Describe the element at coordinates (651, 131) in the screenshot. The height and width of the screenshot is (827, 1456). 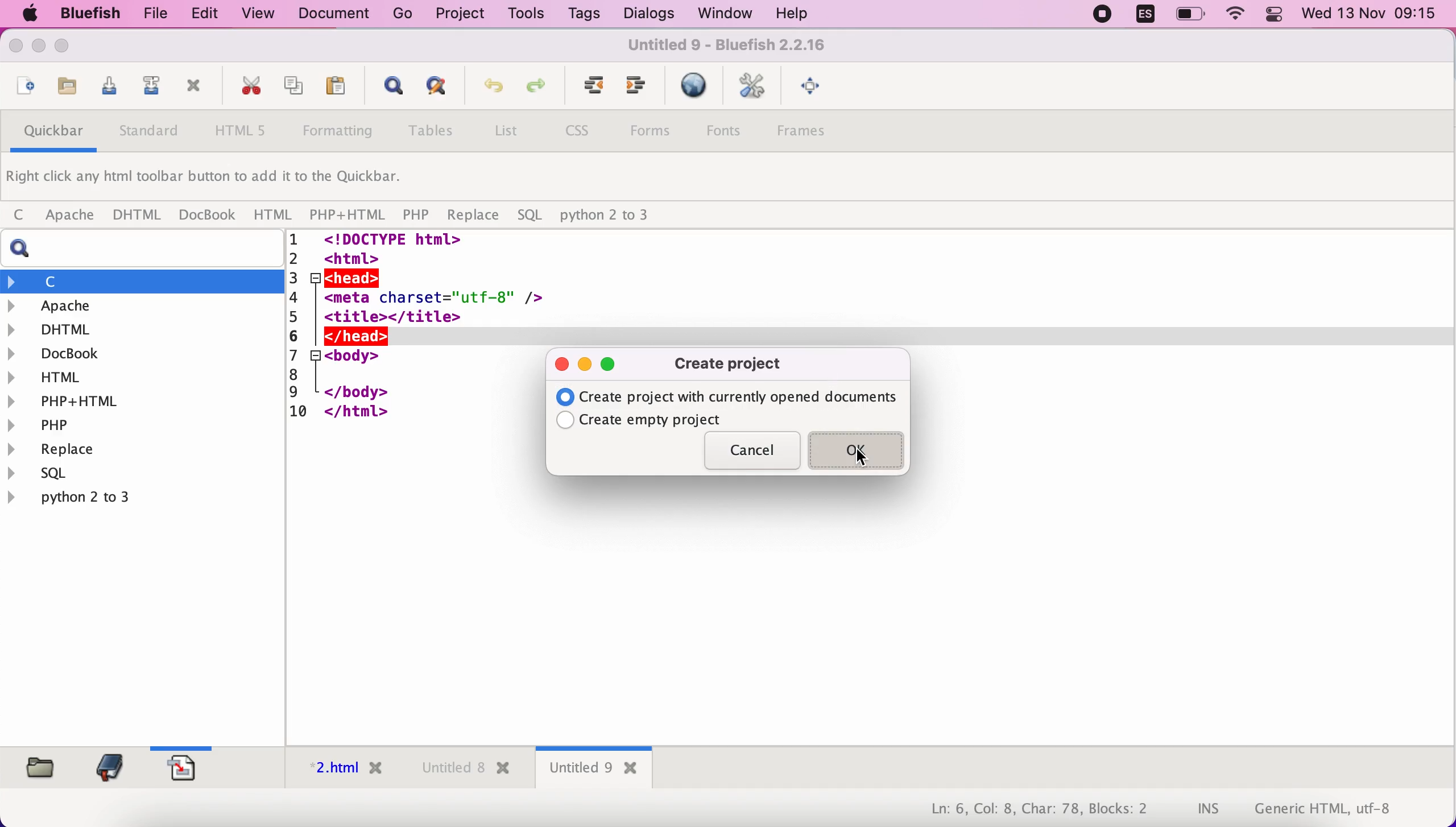
I see `forms` at that location.